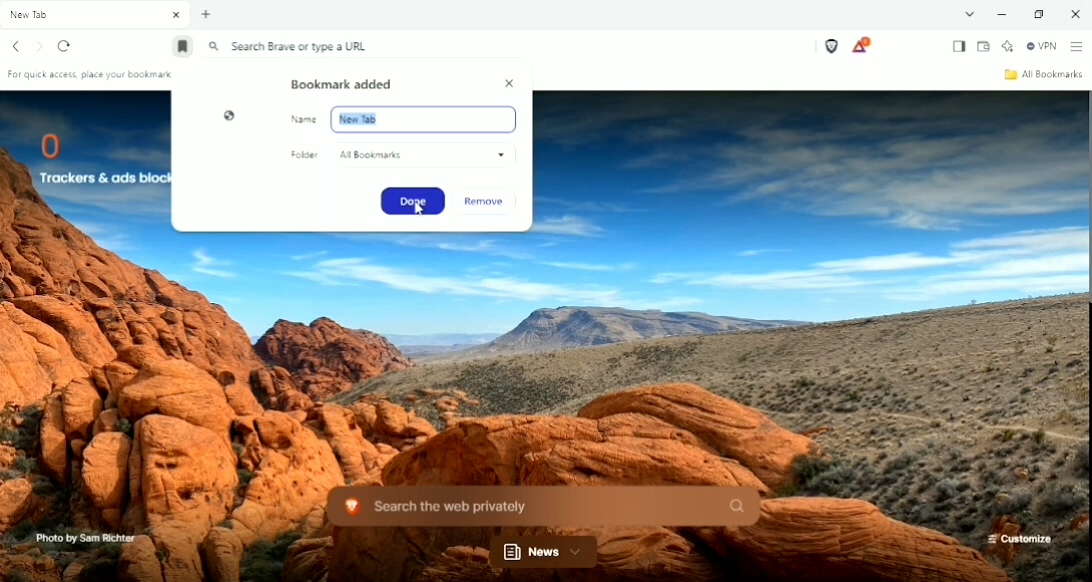  What do you see at coordinates (831, 46) in the screenshot?
I see `Brave Shields` at bounding box center [831, 46].